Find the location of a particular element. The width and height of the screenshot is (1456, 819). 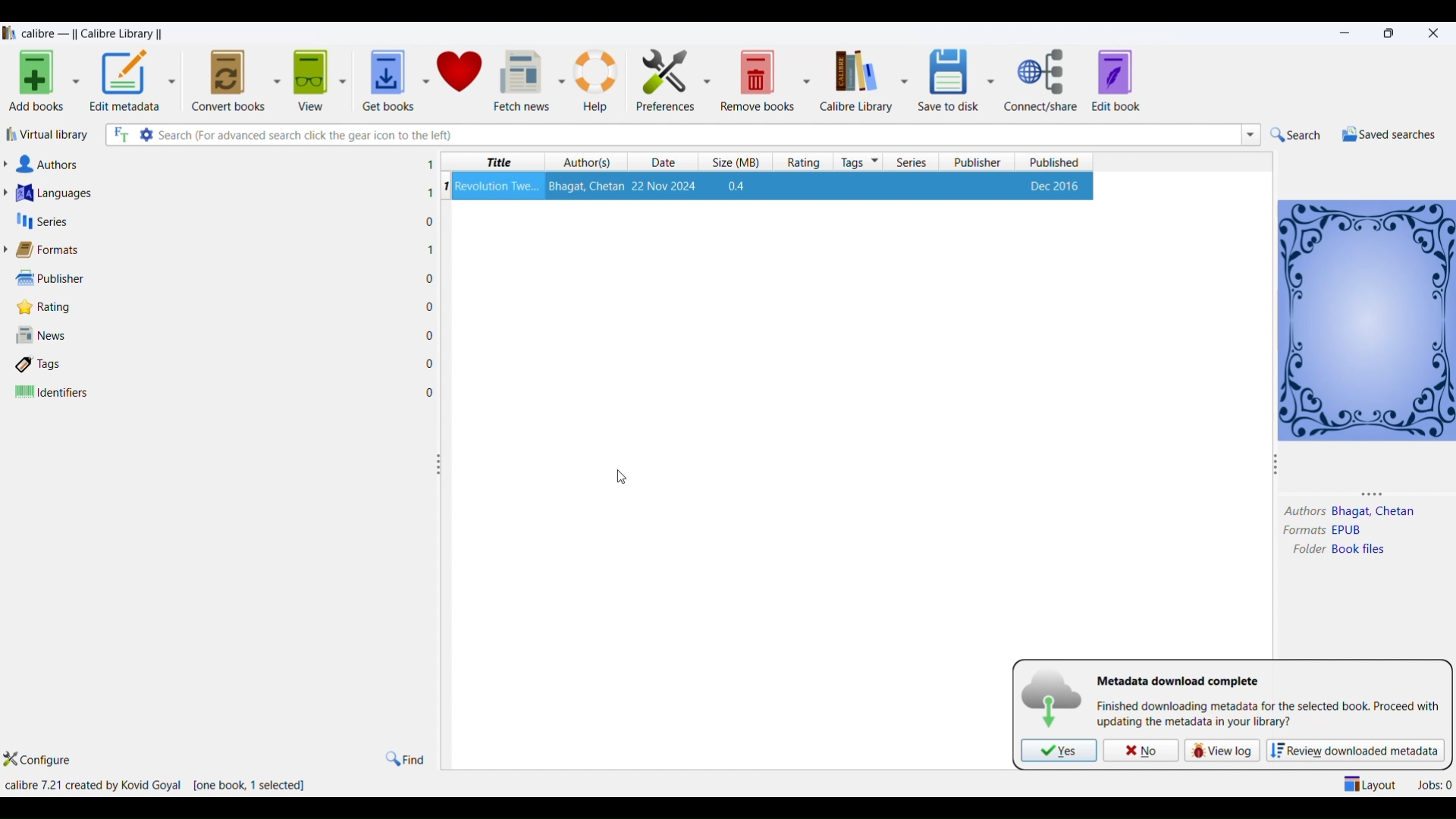

total books and selected books is located at coordinates (257, 786).